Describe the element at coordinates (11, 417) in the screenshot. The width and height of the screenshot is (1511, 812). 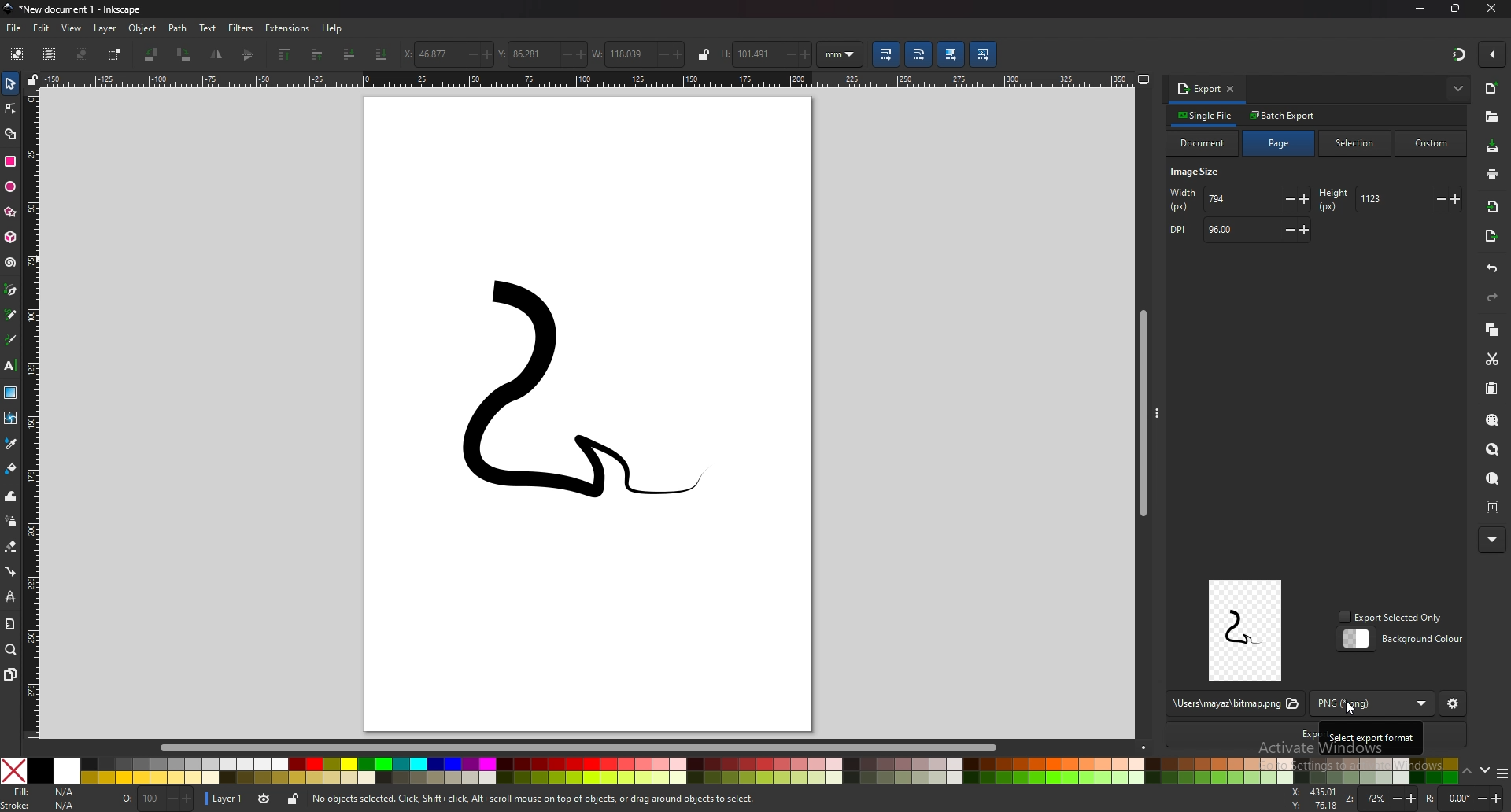
I see `mesh` at that location.